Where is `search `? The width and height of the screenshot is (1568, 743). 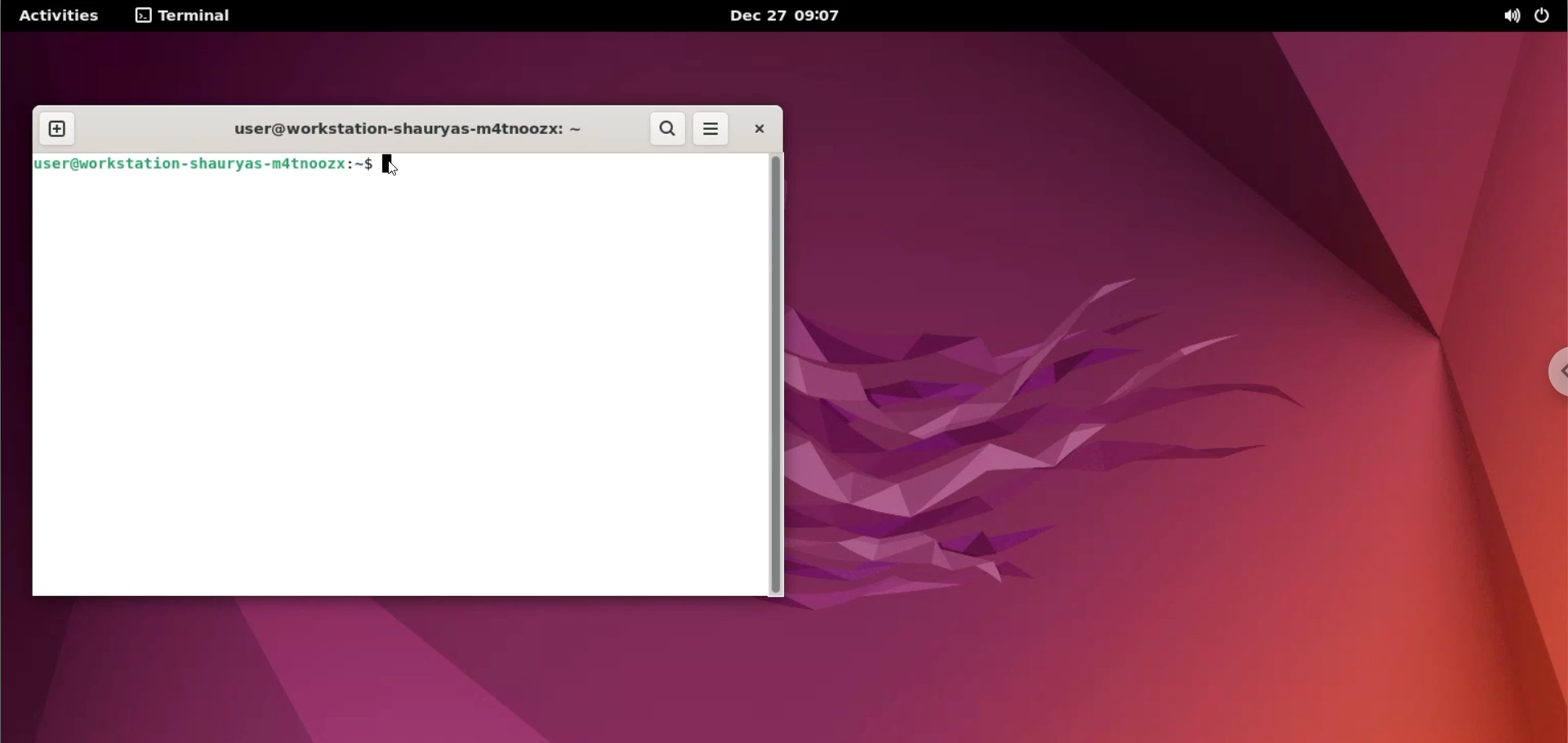
search  is located at coordinates (667, 128).